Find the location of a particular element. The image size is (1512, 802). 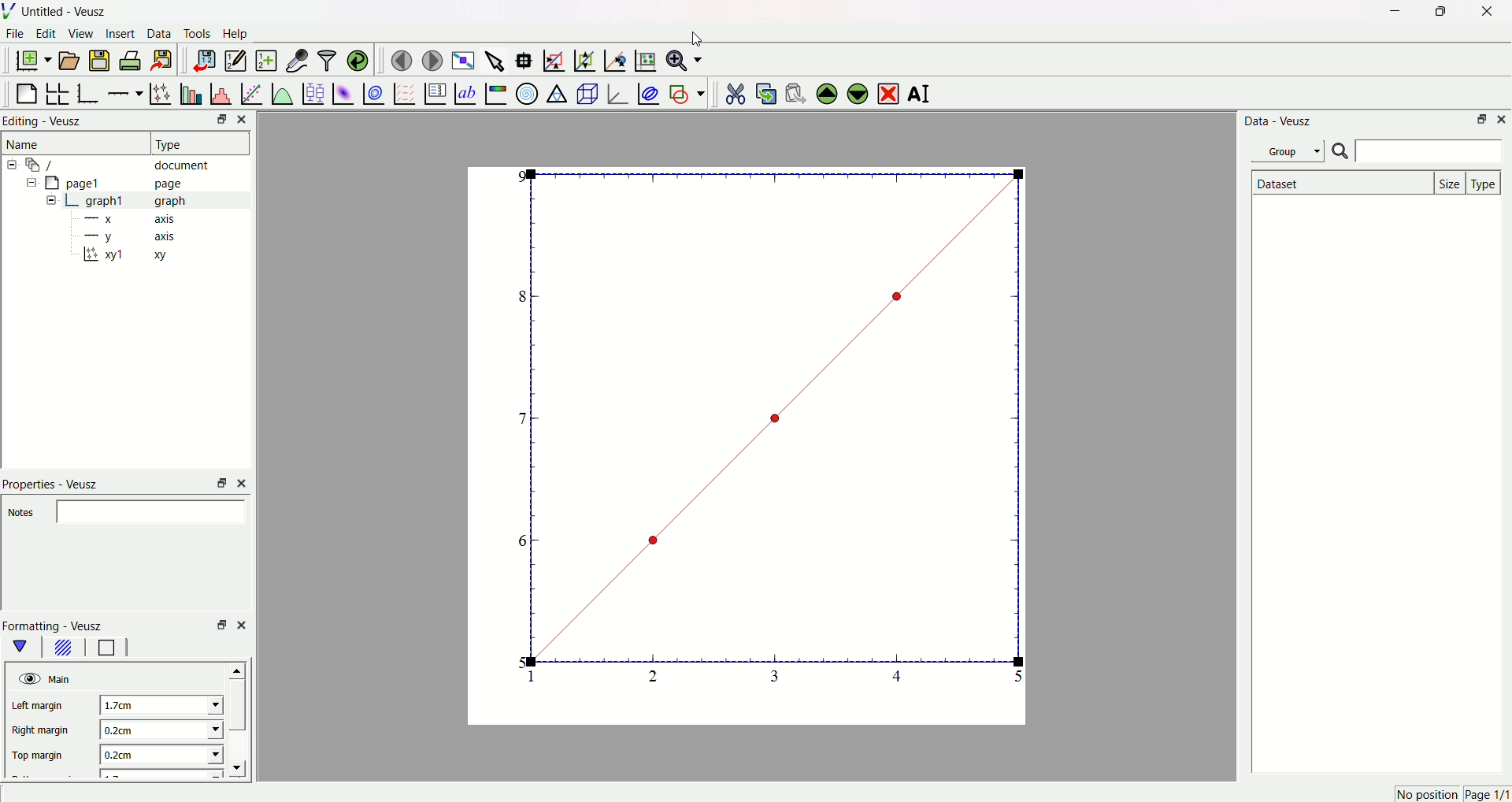

capture remote datasets is located at coordinates (295, 59).